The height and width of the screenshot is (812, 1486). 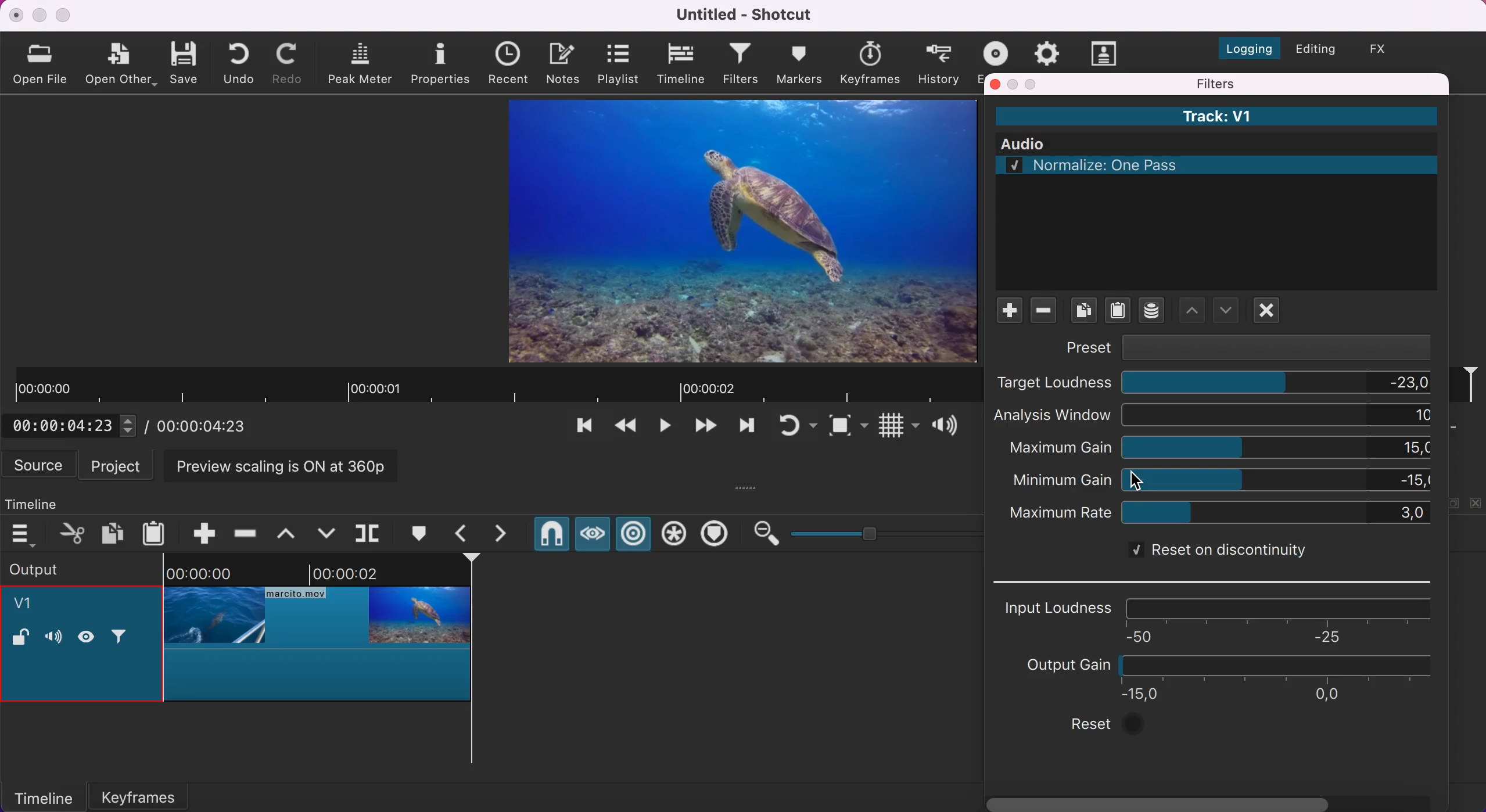 What do you see at coordinates (1270, 311) in the screenshot?
I see `deselect filter` at bounding box center [1270, 311].